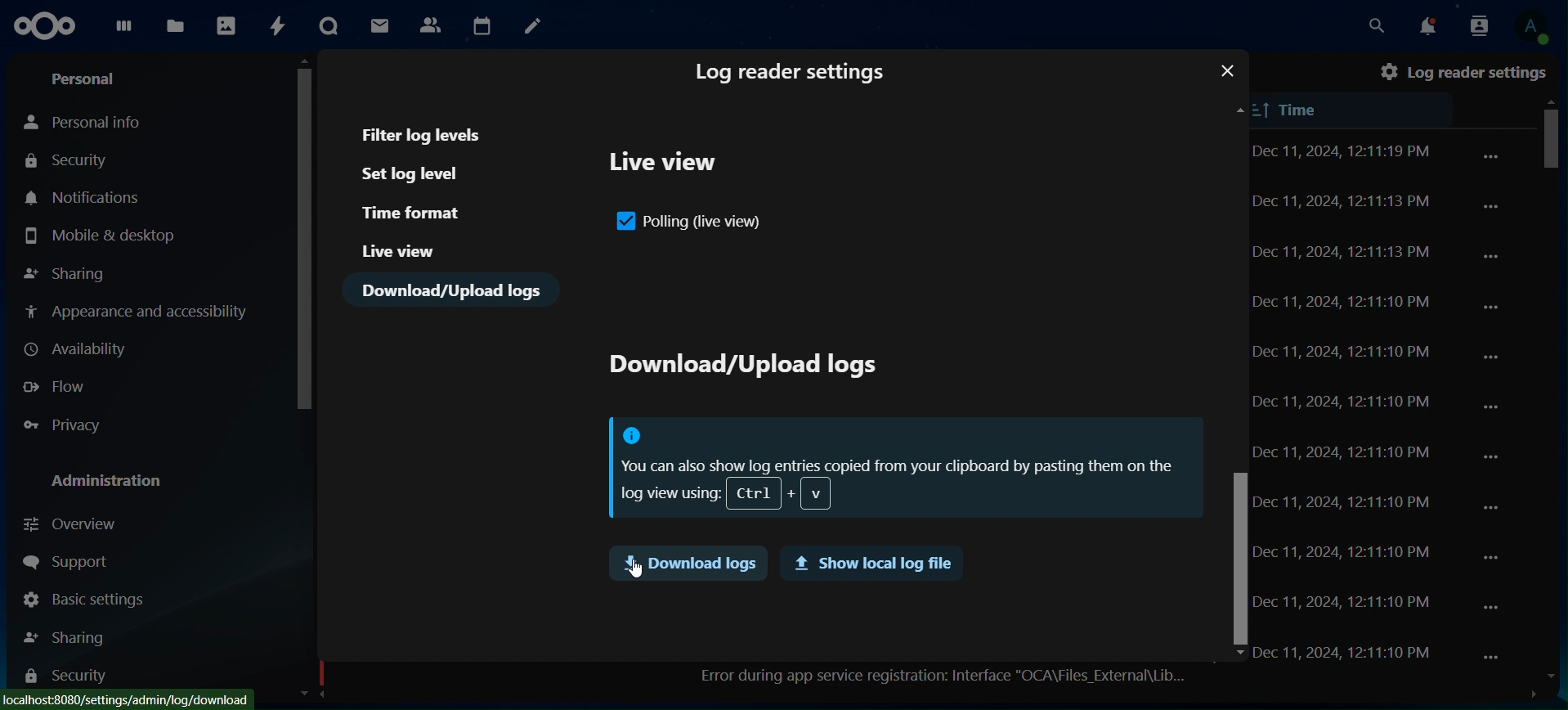 The image size is (1568, 710). What do you see at coordinates (533, 25) in the screenshot?
I see `notes` at bounding box center [533, 25].